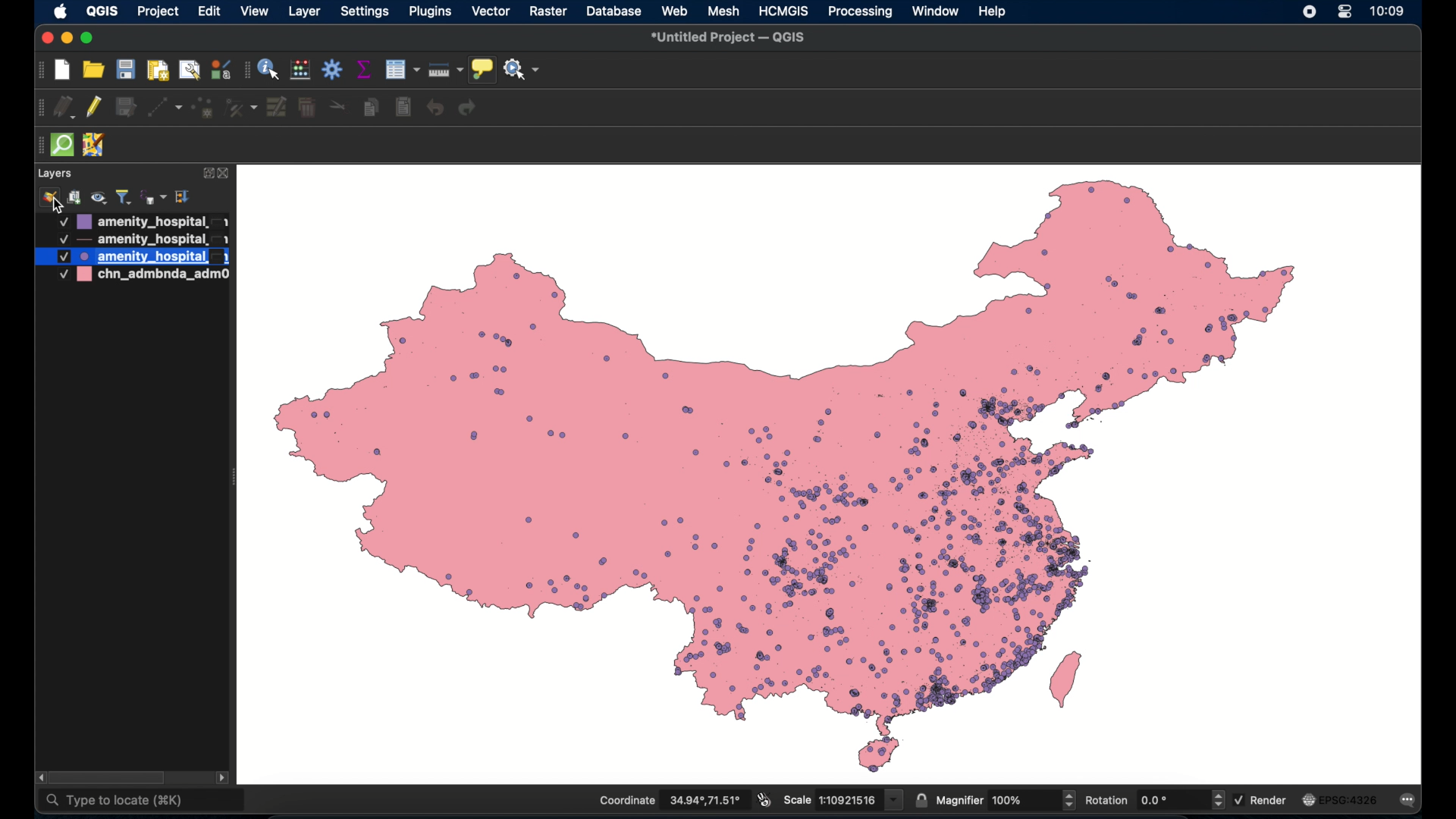 The width and height of the screenshot is (1456, 819). Describe the element at coordinates (36, 776) in the screenshot. I see `scroll left arrow` at that location.